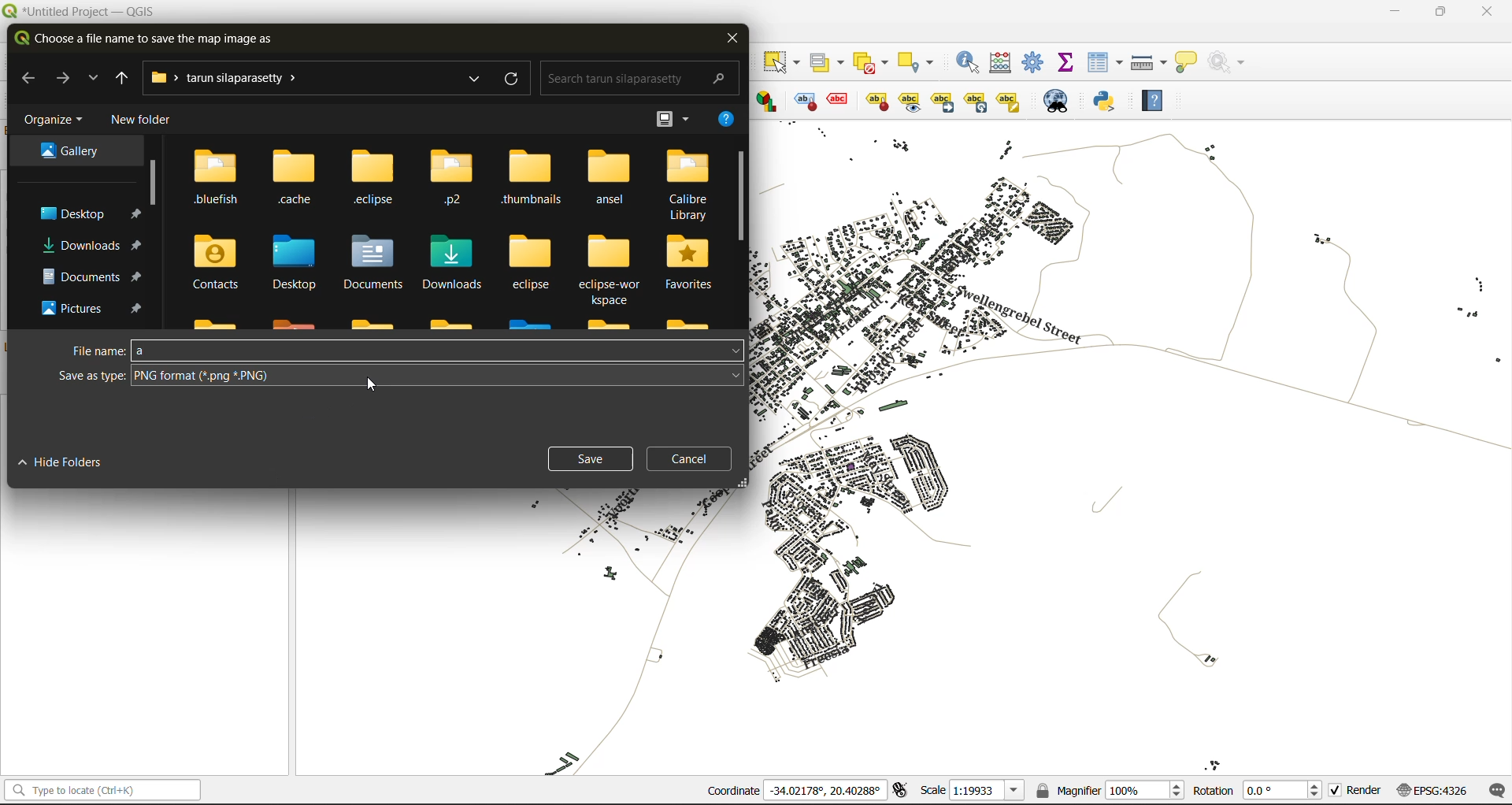 Image resolution: width=1512 pixels, height=805 pixels. What do you see at coordinates (406, 351) in the screenshot?
I see `file name` at bounding box center [406, 351].